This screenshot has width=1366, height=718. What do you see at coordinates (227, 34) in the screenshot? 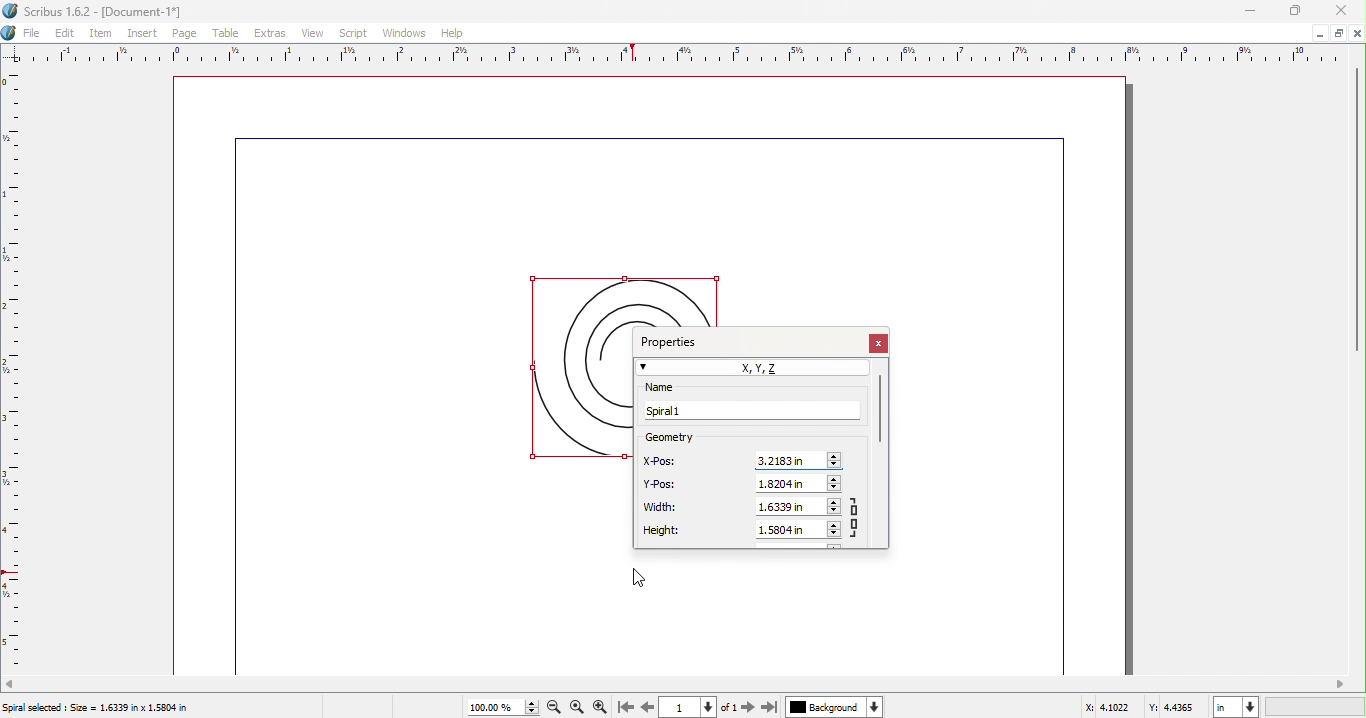
I see `Table` at bounding box center [227, 34].